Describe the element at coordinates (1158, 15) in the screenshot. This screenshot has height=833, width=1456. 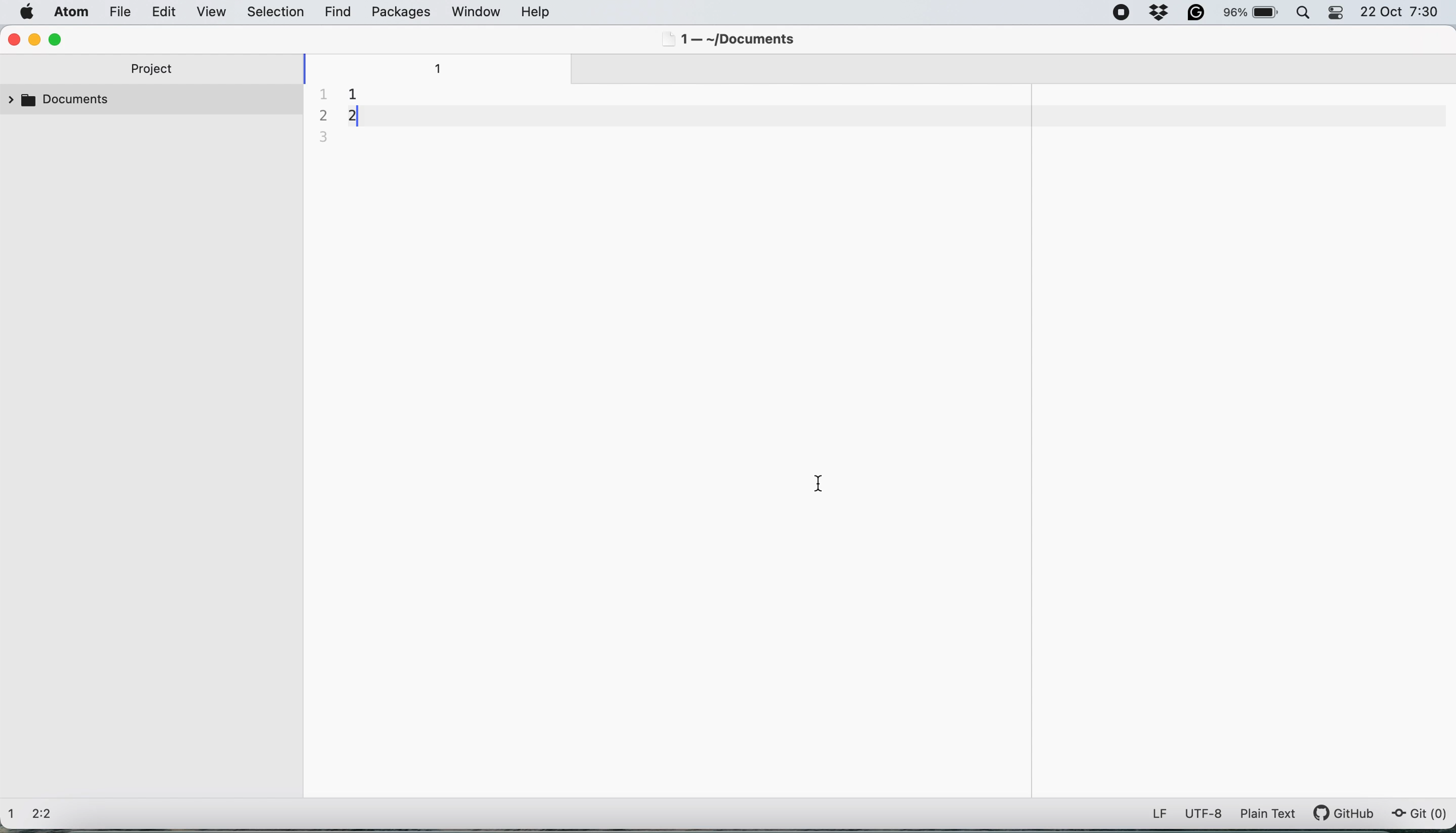
I see `dropbox` at that location.